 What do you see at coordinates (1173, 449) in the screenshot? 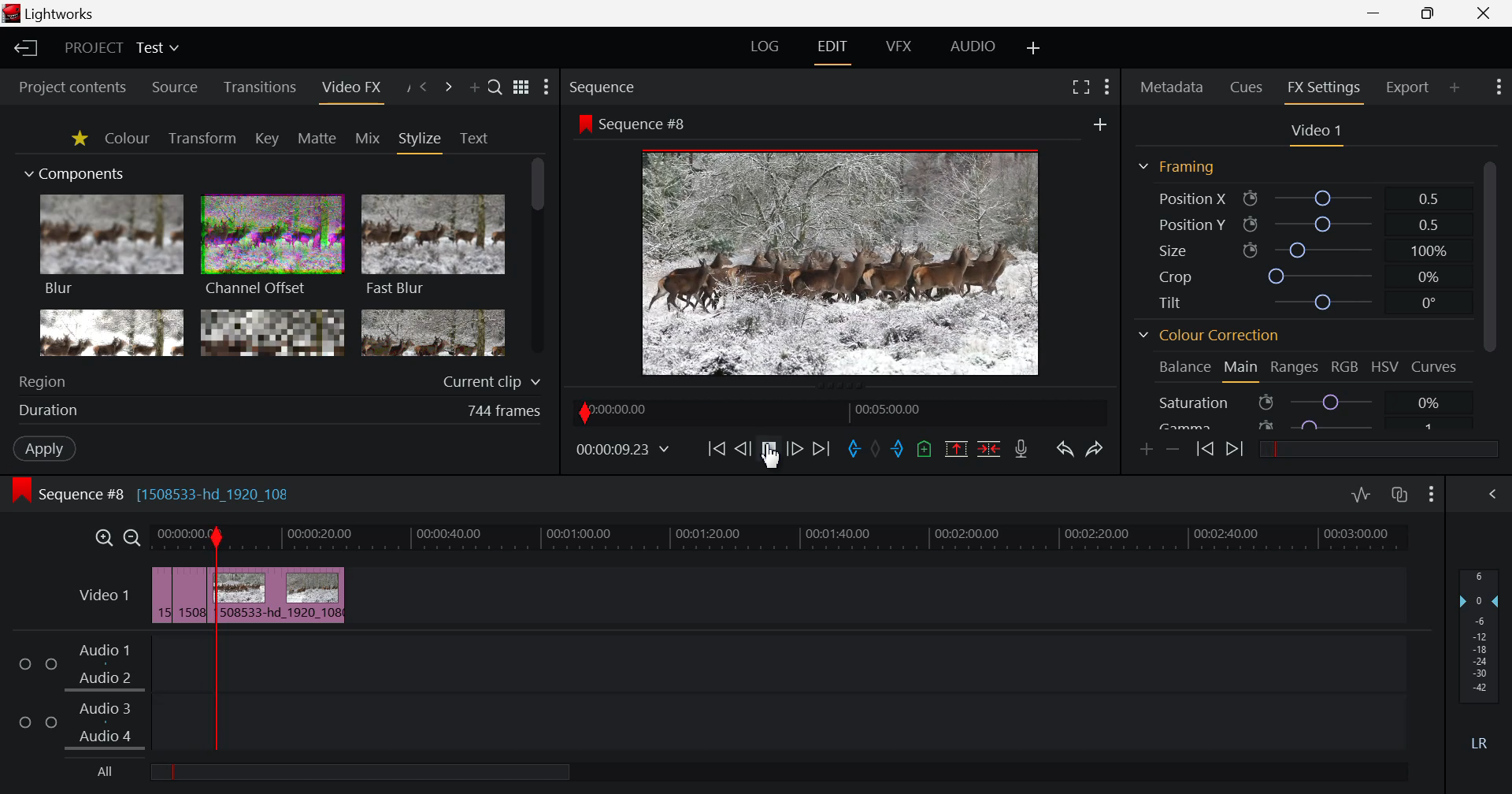
I see `Remove keyframe` at bounding box center [1173, 449].